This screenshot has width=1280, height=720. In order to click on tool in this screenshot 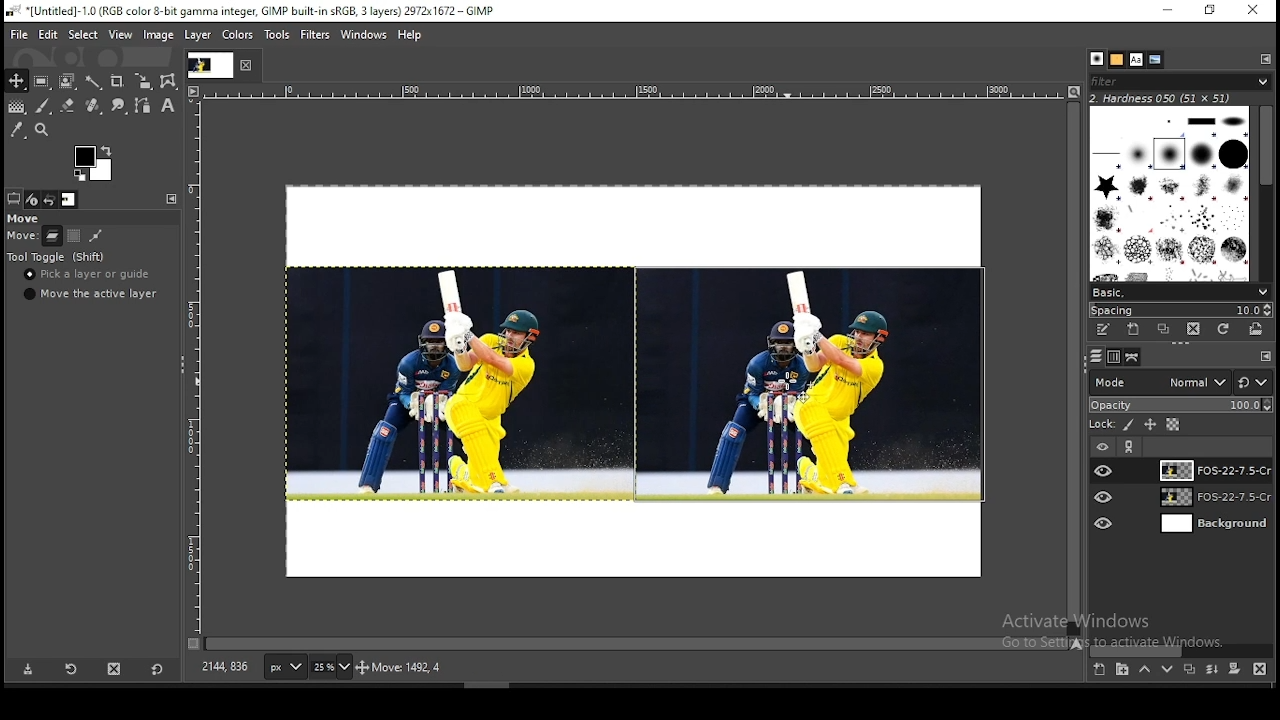, I will do `click(1131, 447)`.